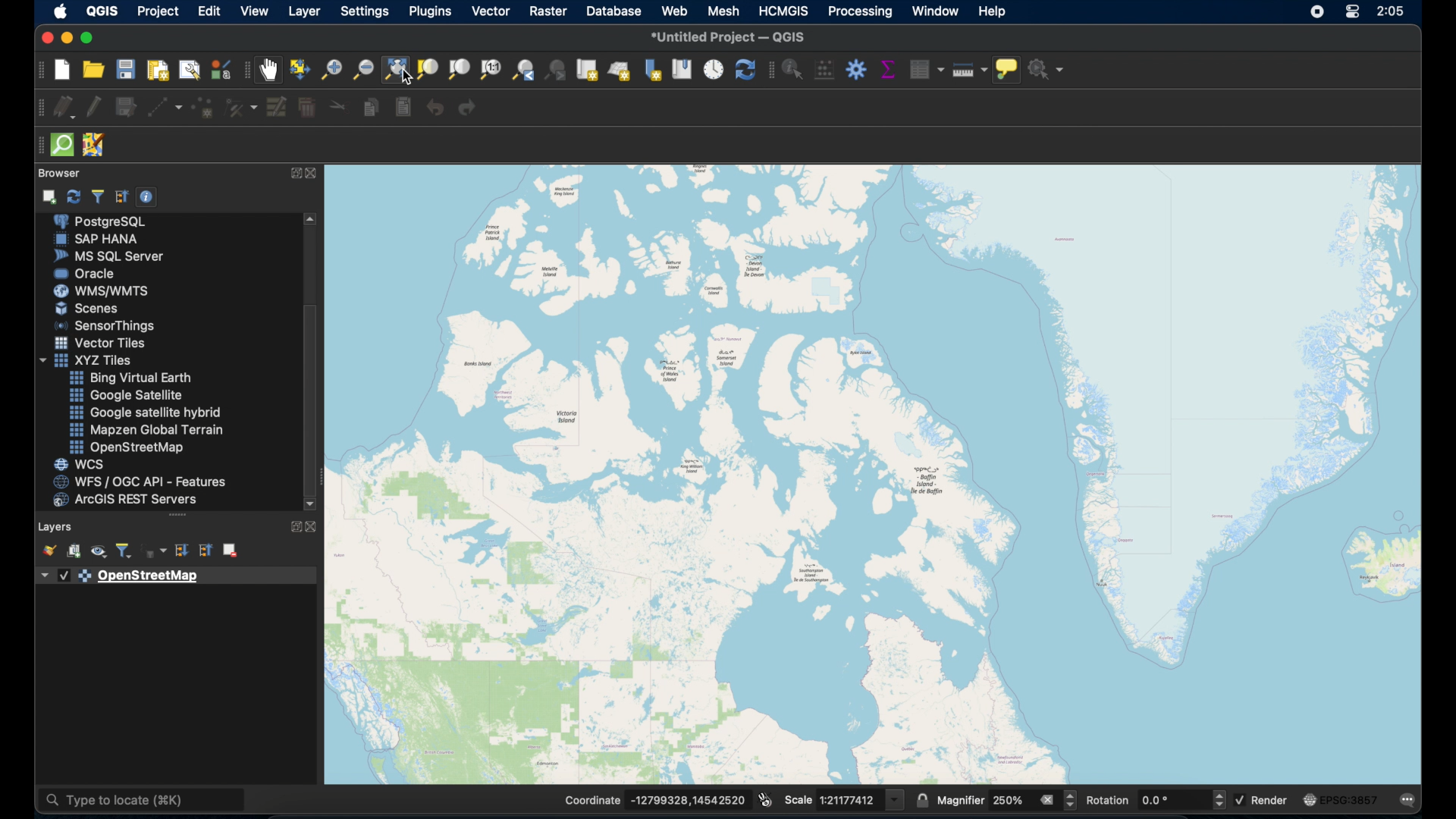 This screenshot has width=1456, height=819. I want to click on vector tiles, so click(101, 343).